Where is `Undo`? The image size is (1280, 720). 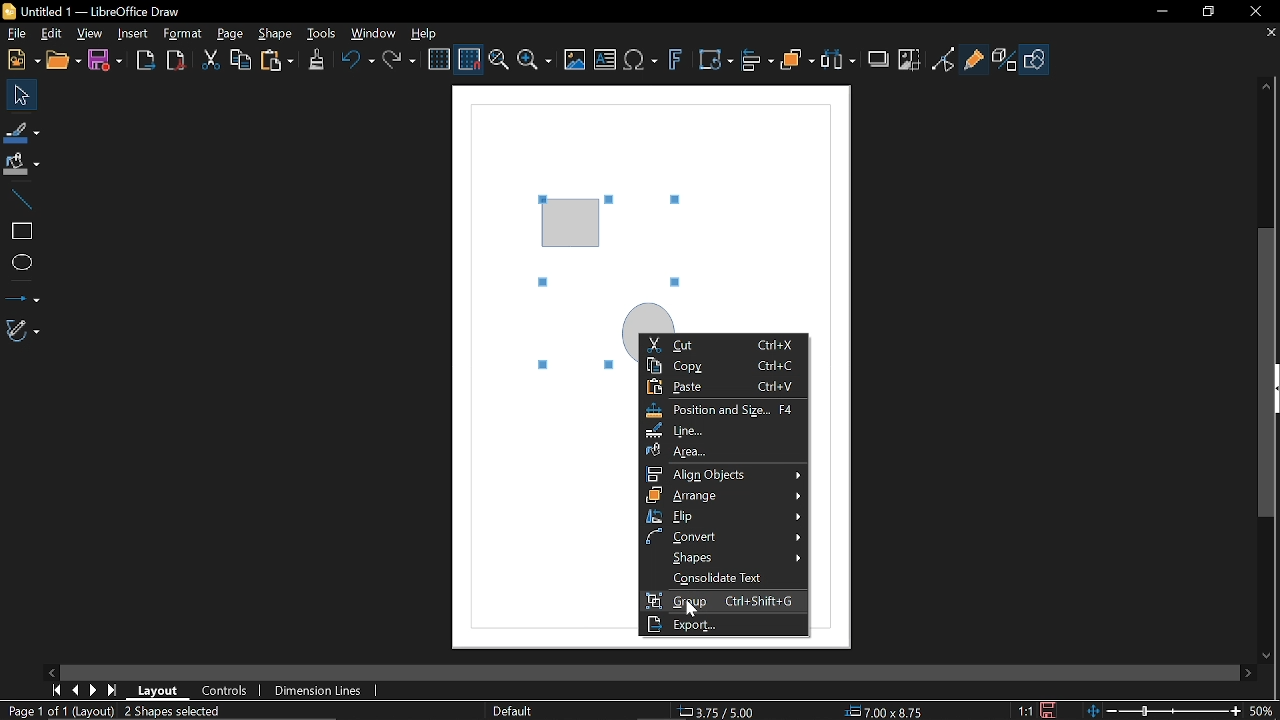
Undo is located at coordinates (358, 61).